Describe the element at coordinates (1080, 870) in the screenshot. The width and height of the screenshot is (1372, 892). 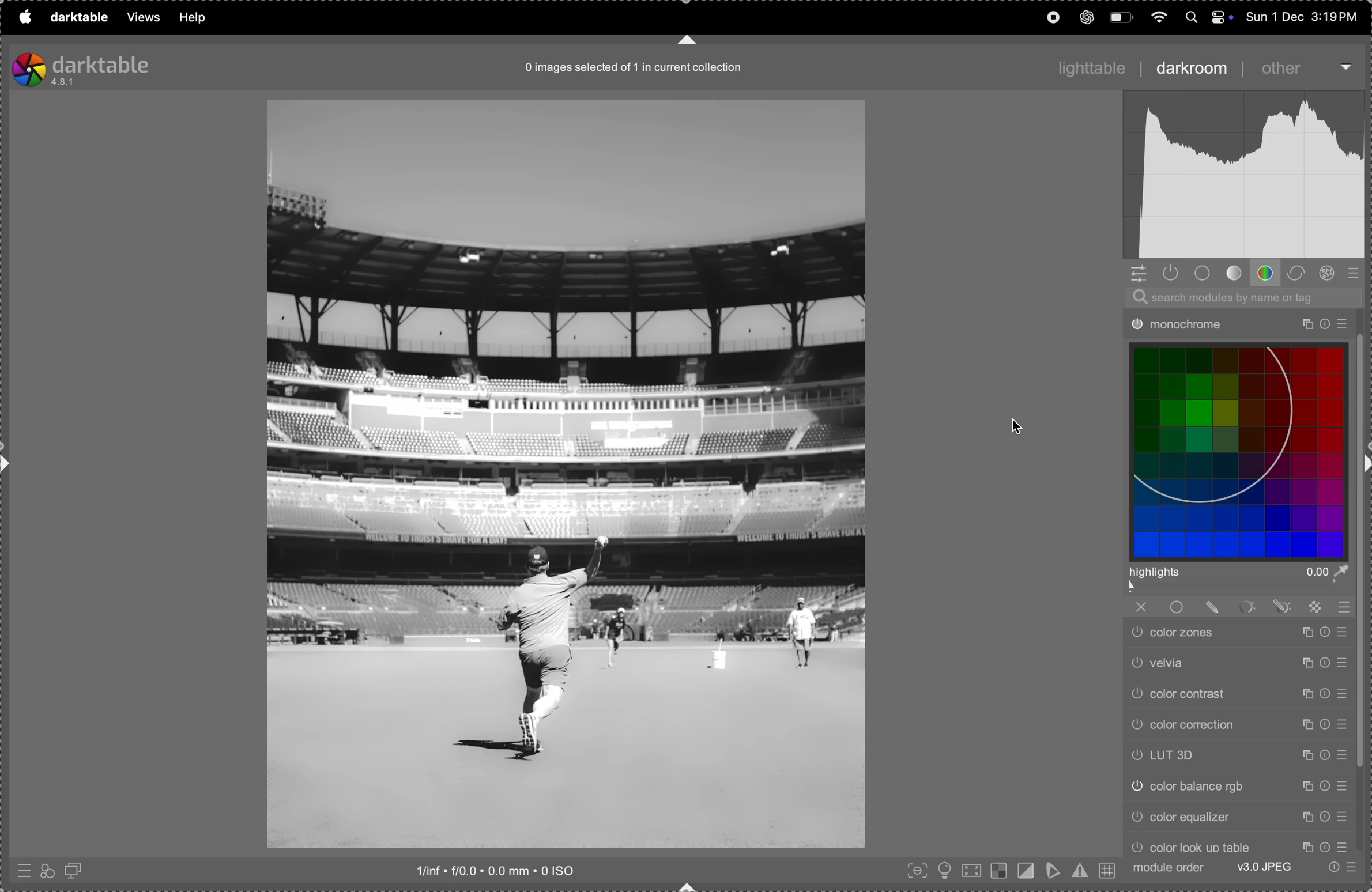
I see `toggle gamut checking` at that location.